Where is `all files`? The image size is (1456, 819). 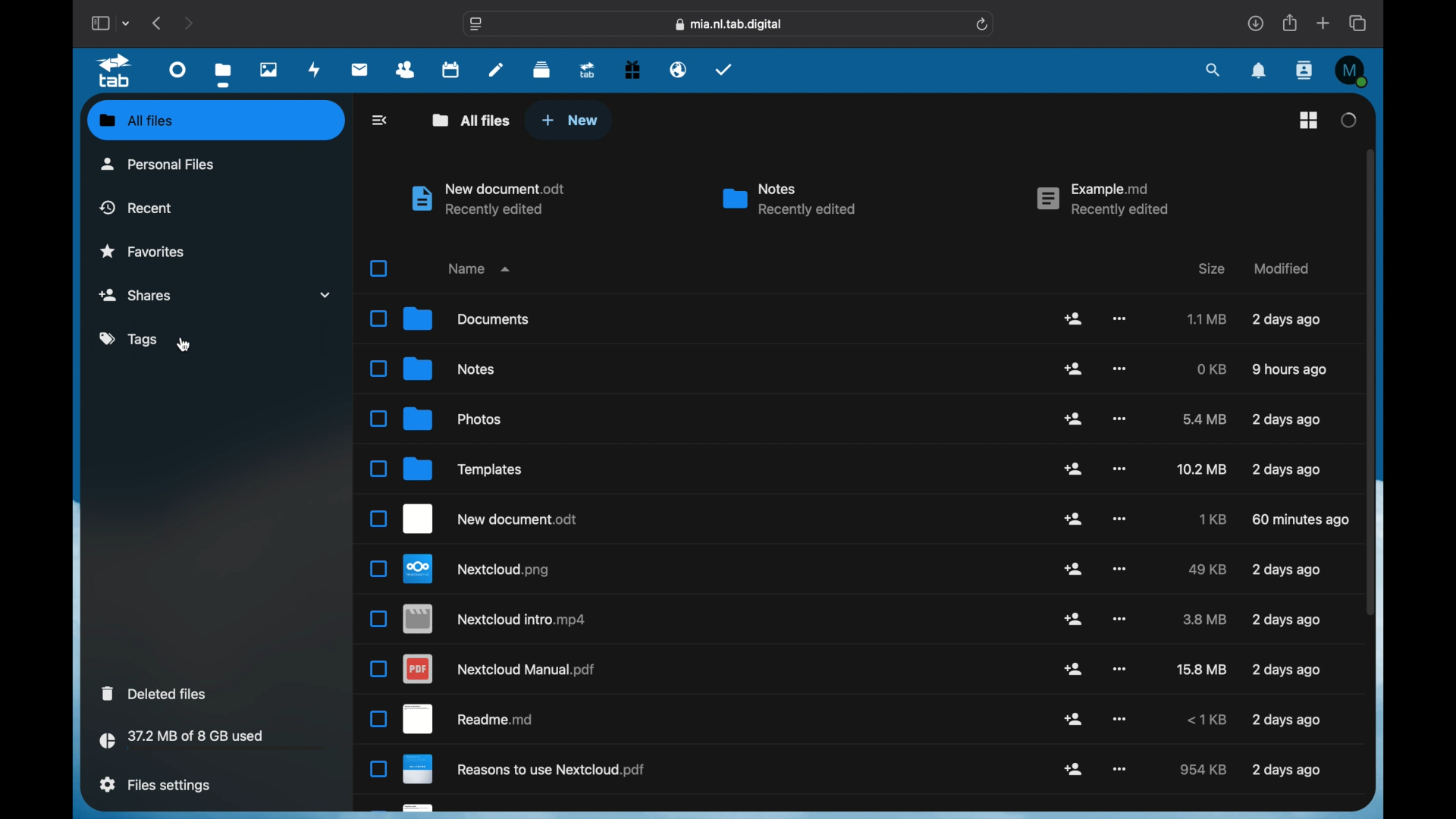 all files is located at coordinates (472, 120).